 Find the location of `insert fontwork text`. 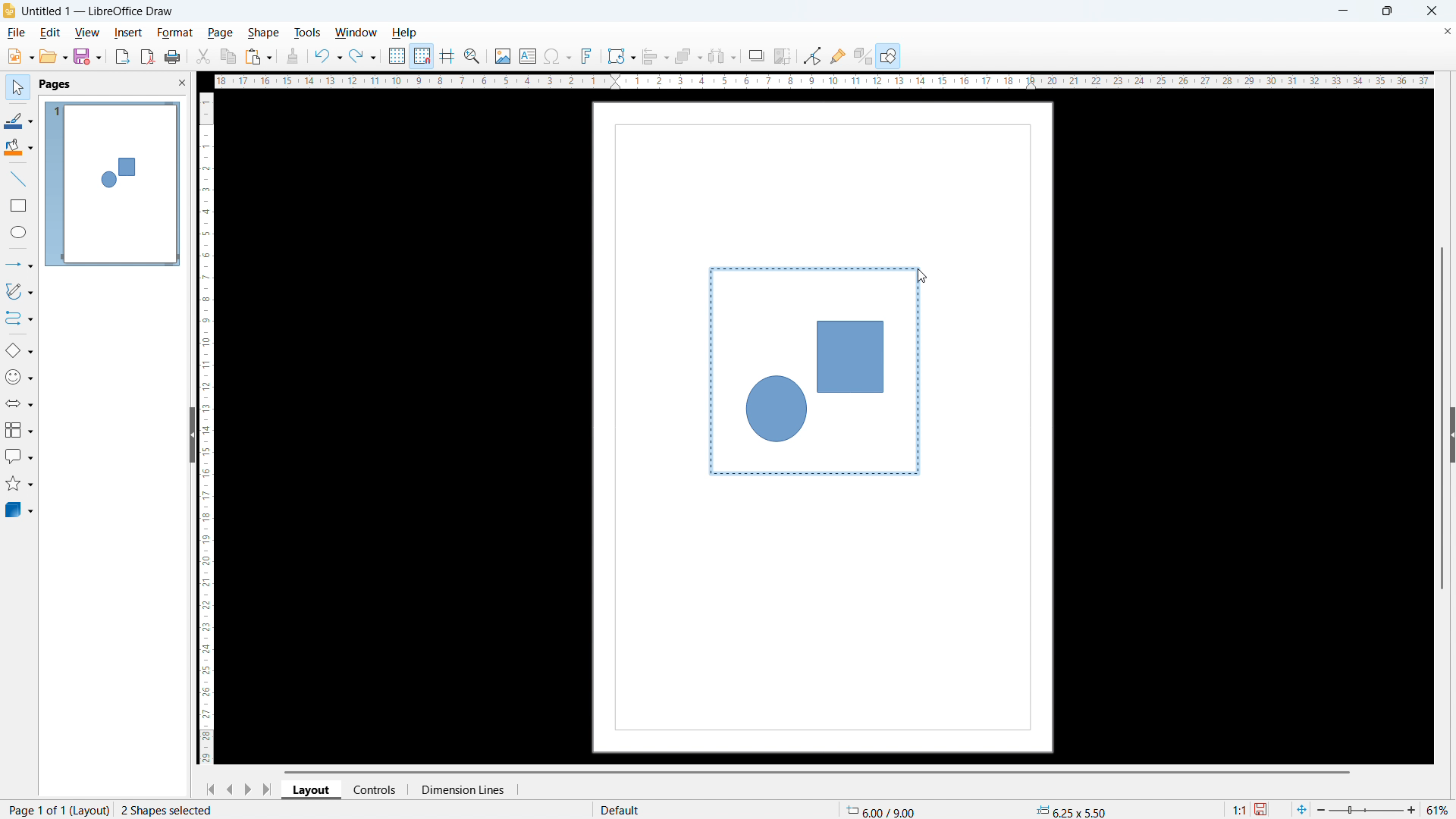

insert fontwork text is located at coordinates (588, 57).